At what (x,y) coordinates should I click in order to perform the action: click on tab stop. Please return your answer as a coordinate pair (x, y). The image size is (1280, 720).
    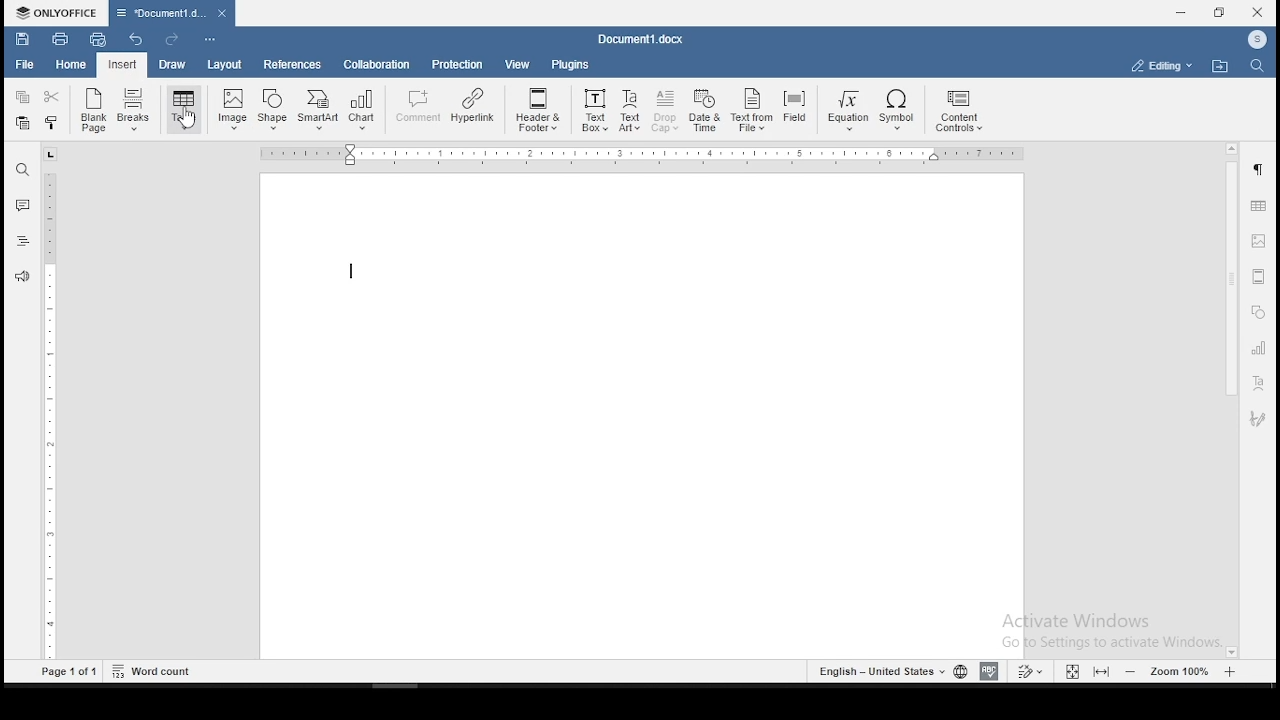
    Looking at the image, I should click on (51, 154).